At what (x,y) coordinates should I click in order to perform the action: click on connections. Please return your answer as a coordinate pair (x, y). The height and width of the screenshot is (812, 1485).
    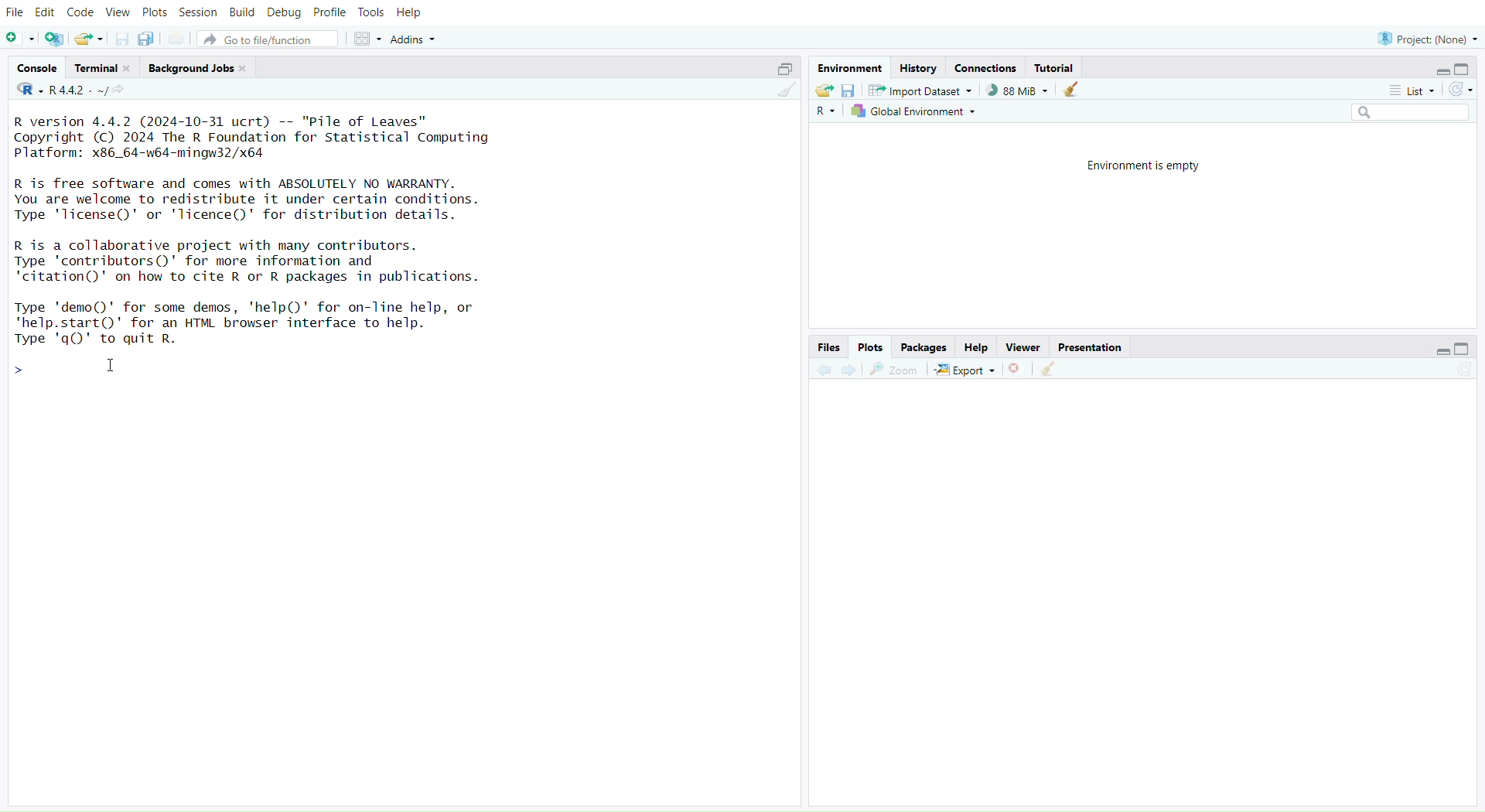
    Looking at the image, I should click on (986, 67).